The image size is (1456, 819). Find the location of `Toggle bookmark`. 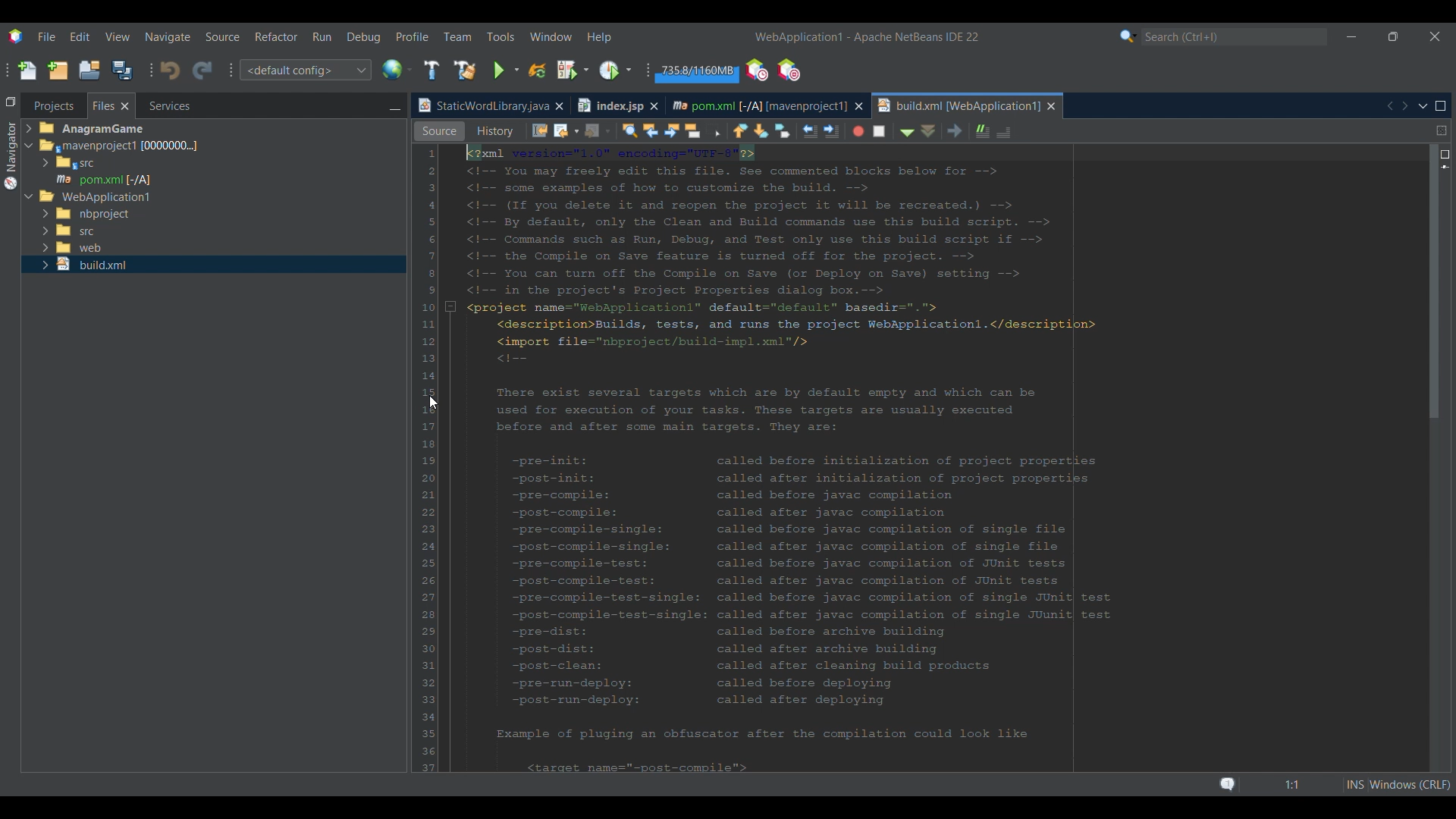

Toggle bookmark is located at coordinates (919, 130).